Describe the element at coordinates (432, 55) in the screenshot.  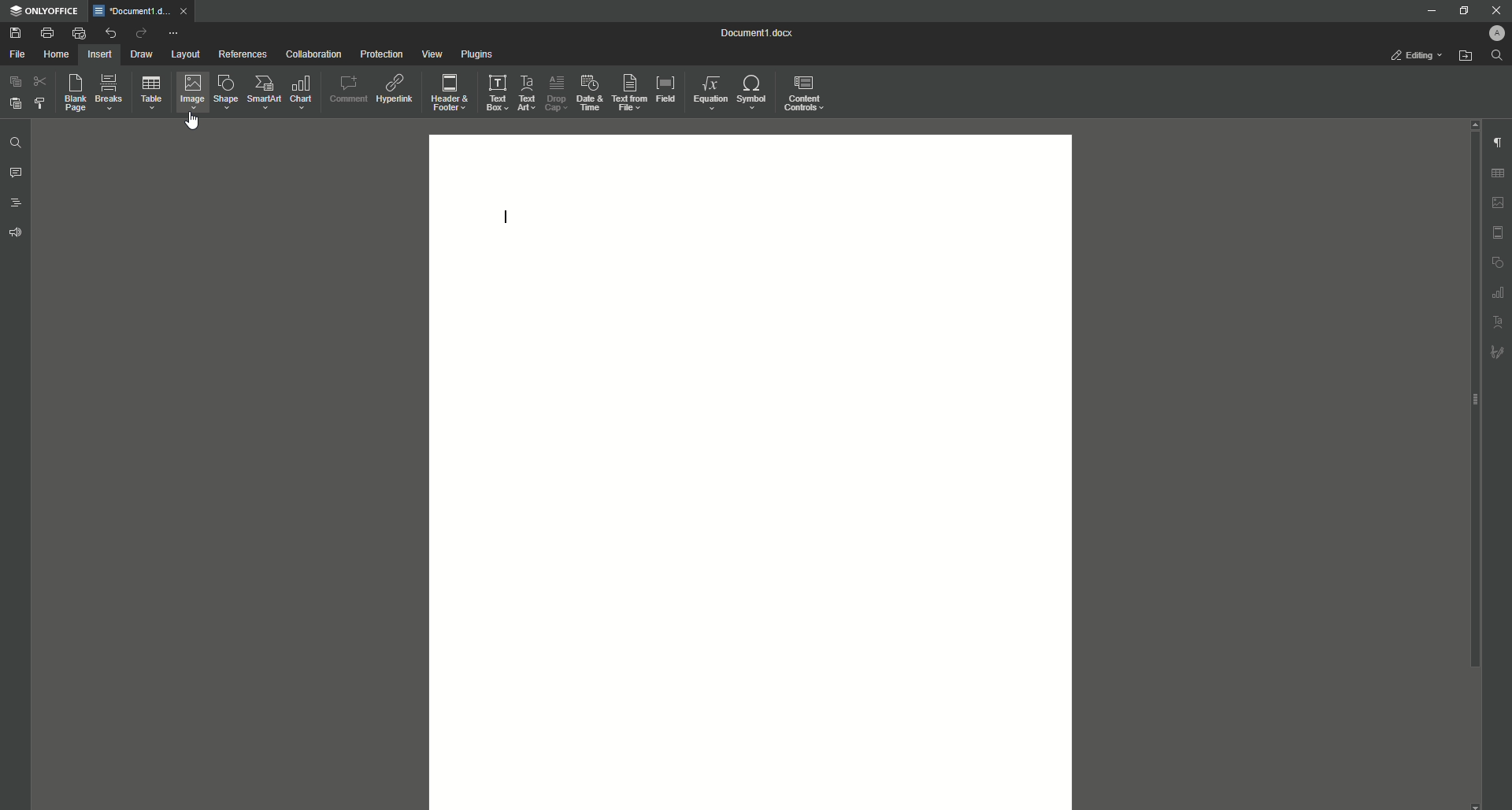
I see `View` at that location.